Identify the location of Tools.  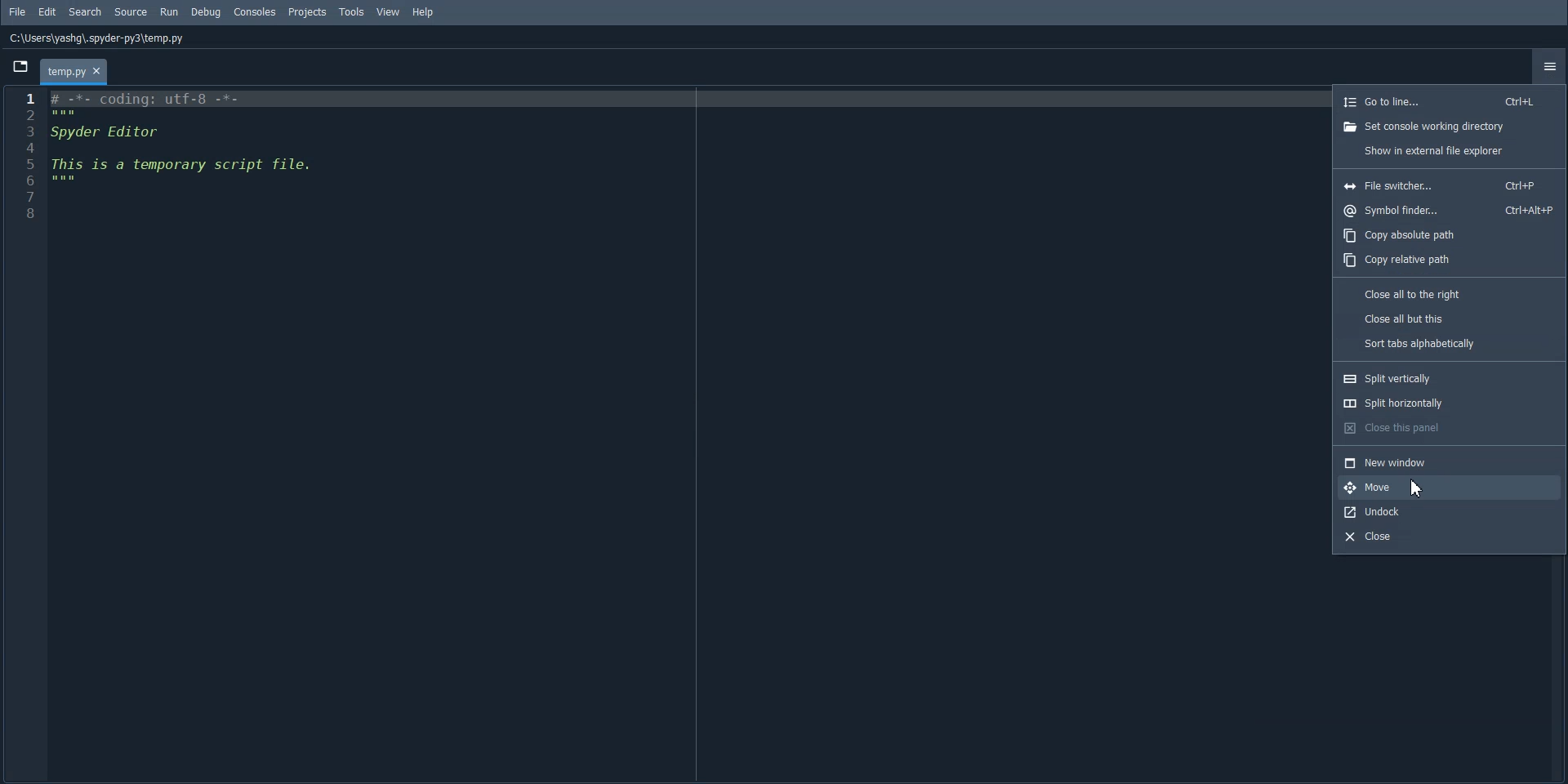
(353, 11).